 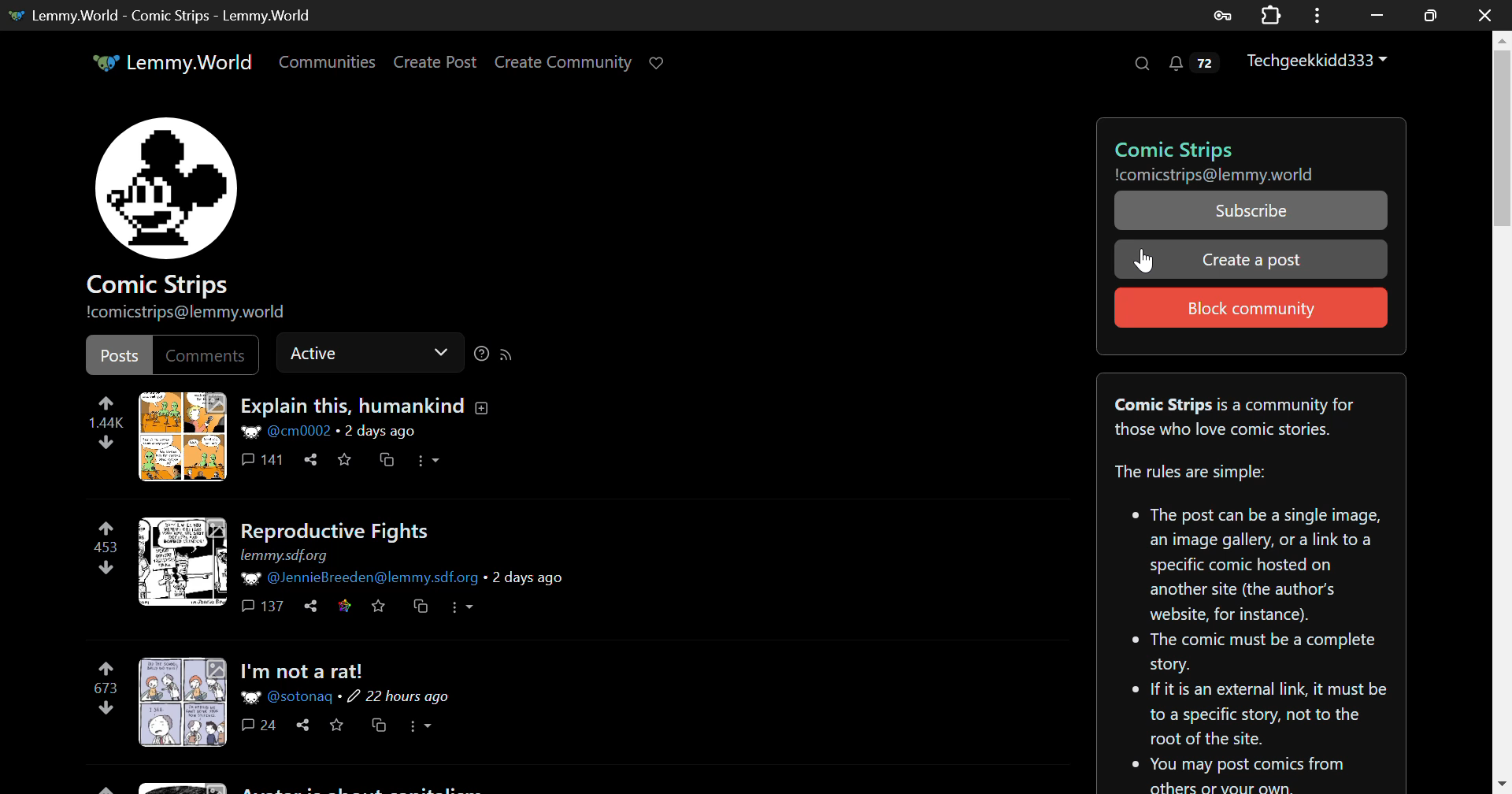 I want to click on Scroll Bar, so click(x=1503, y=409).